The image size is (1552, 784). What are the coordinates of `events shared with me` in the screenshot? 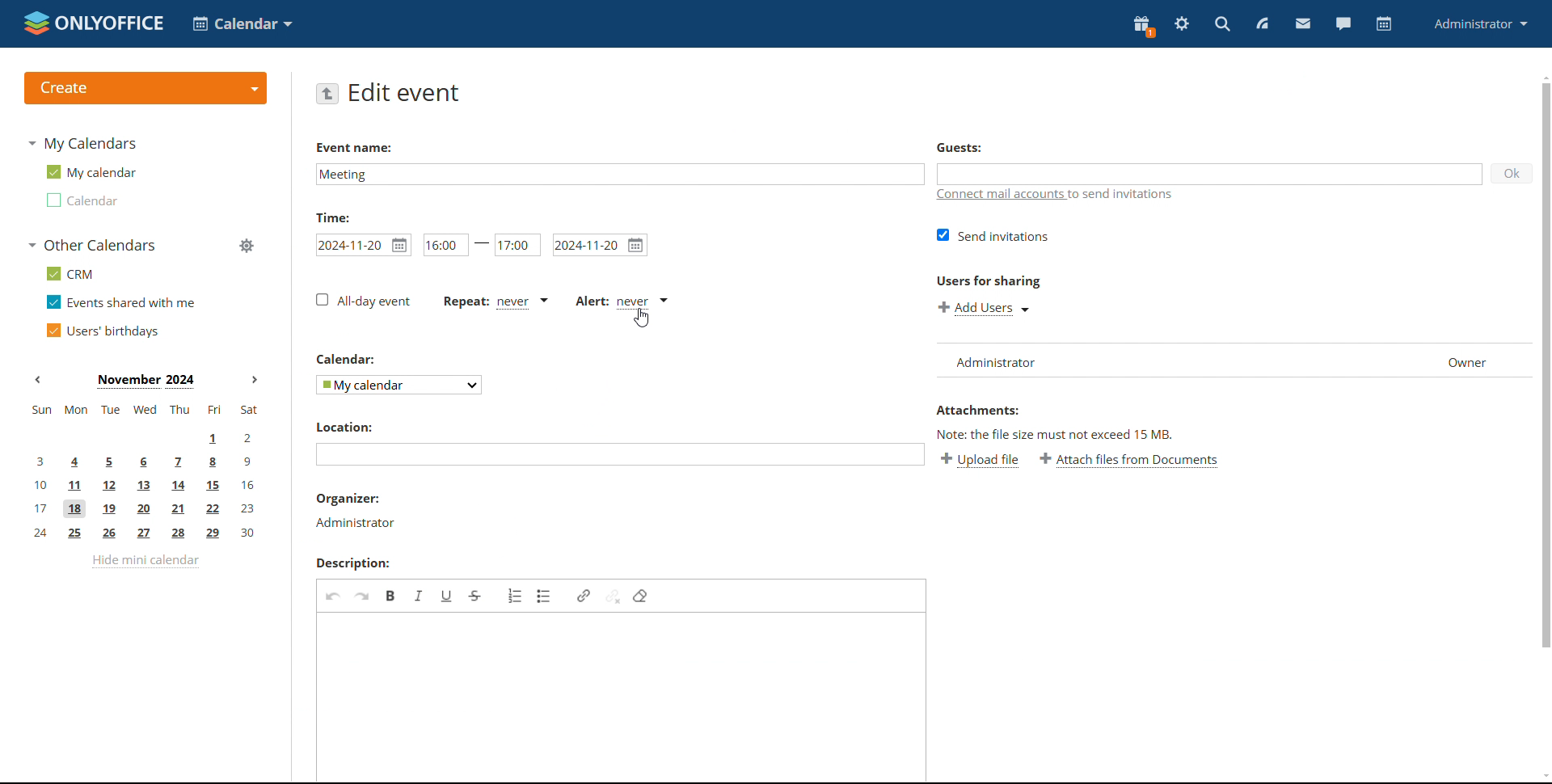 It's located at (121, 301).